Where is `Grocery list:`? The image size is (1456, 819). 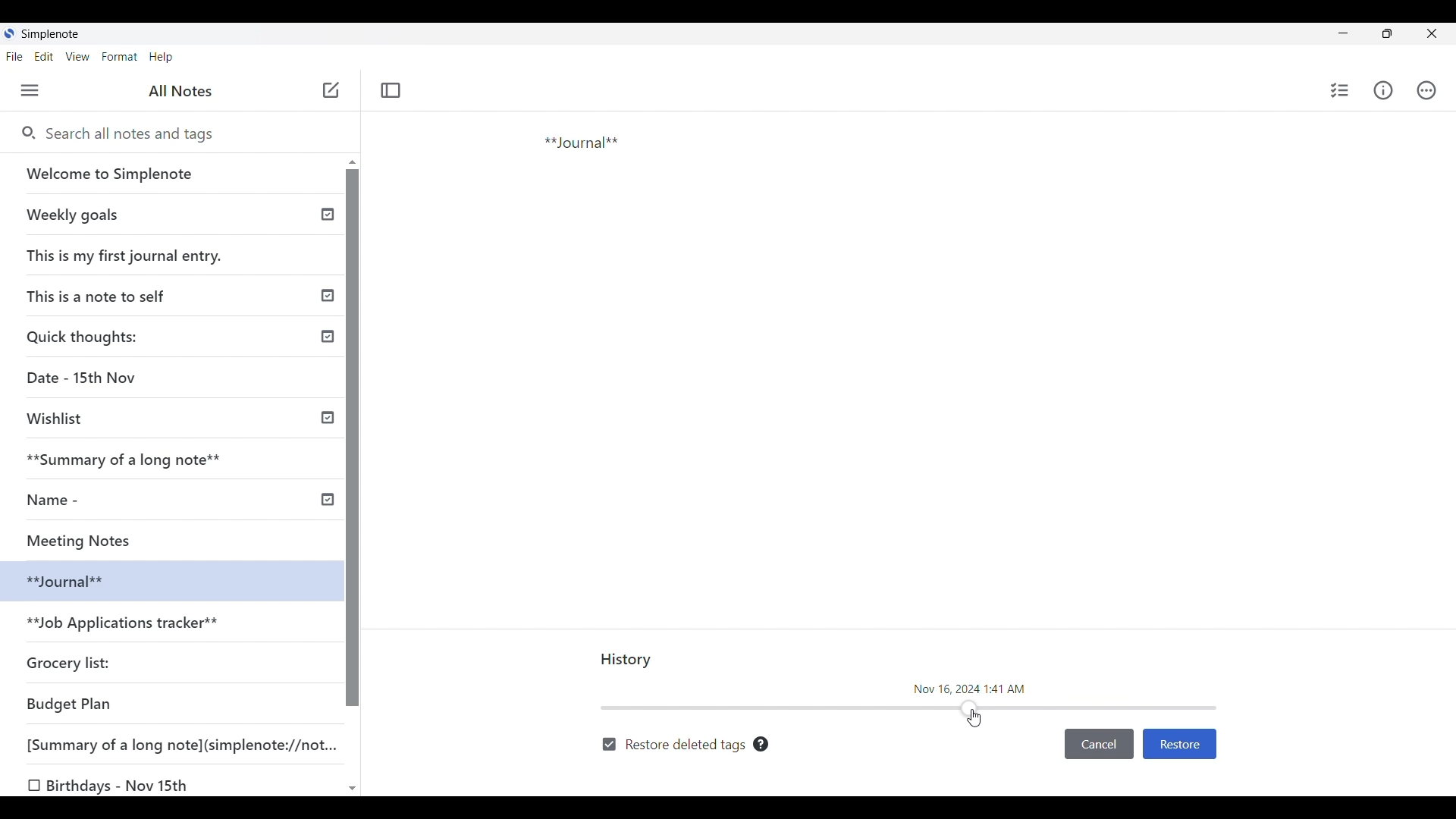 Grocery list: is located at coordinates (71, 661).